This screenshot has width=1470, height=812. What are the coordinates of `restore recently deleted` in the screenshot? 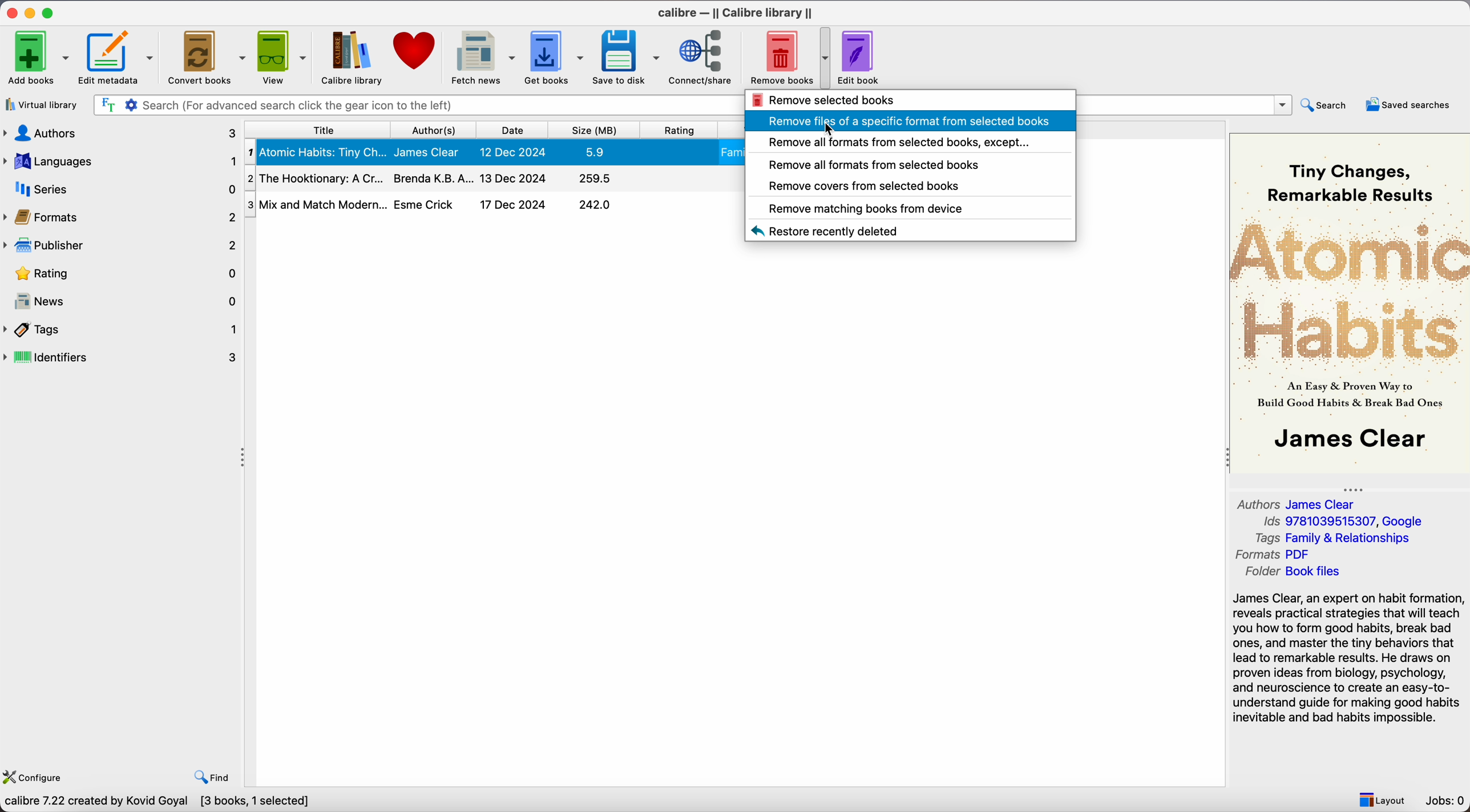 It's located at (824, 231).